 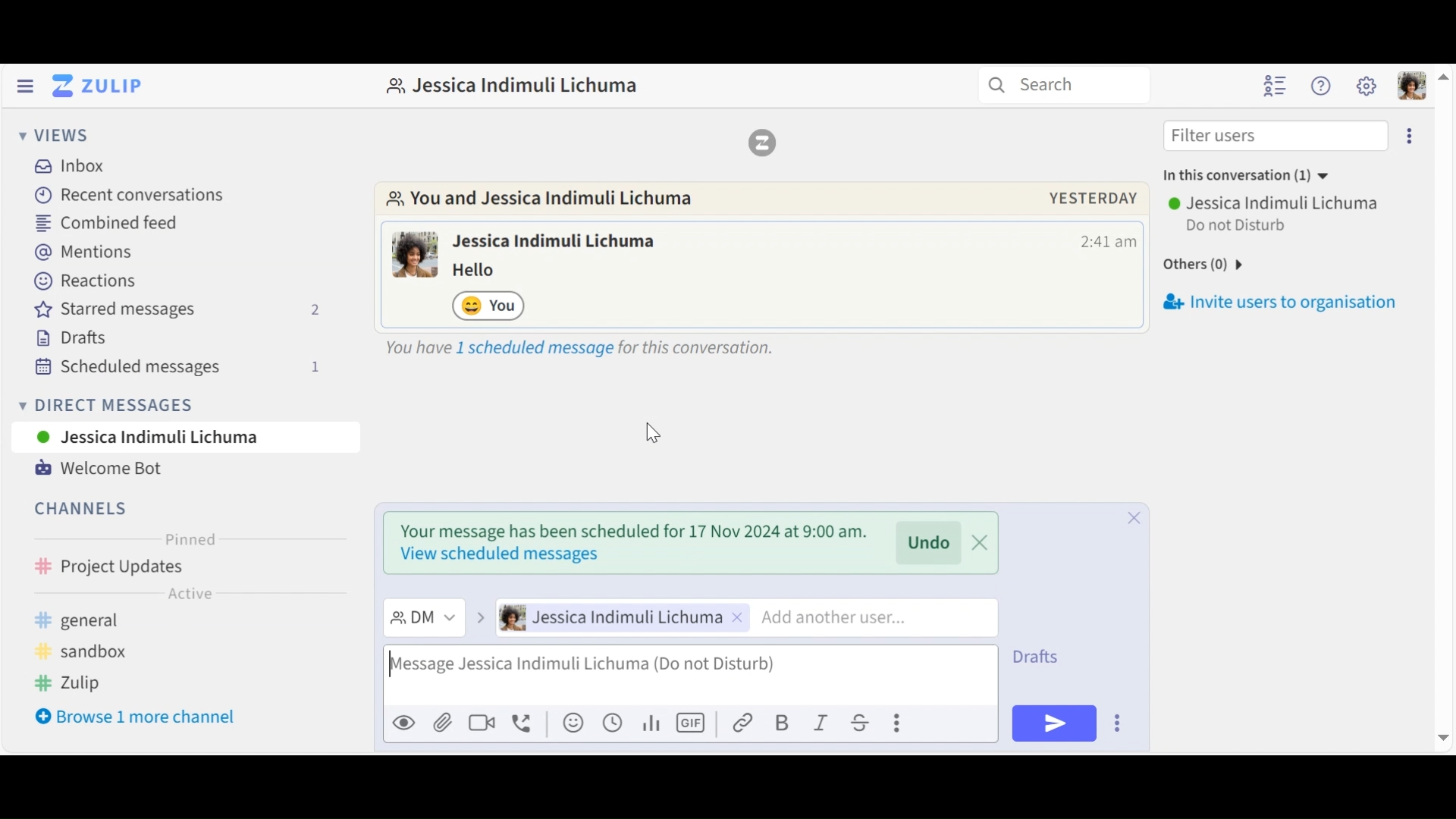 What do you see at coordinates (138, 619) in the screenshot?
I see `general` at bounding box center [138, 619].